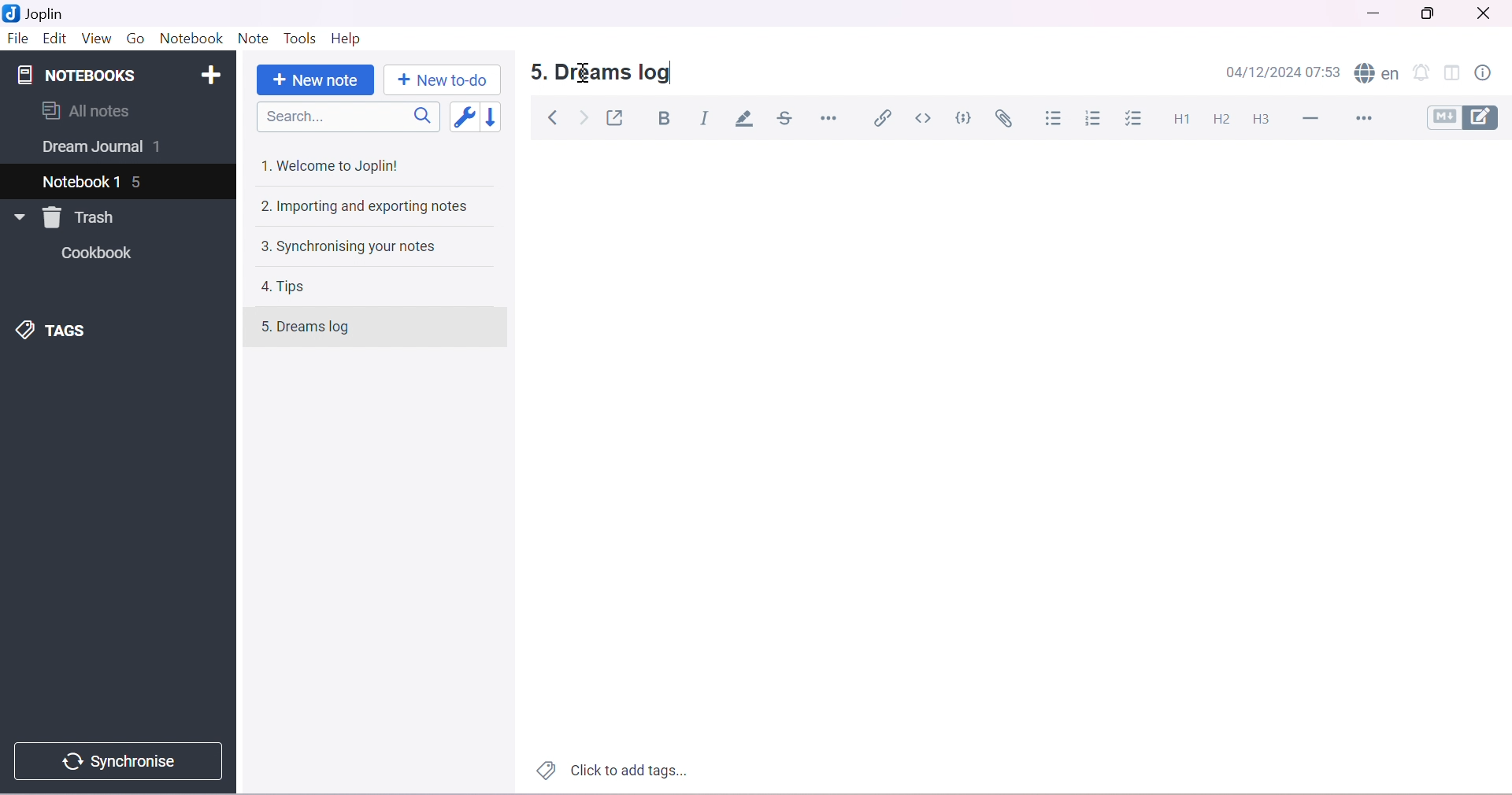 Image resolution: width=1512 pixels, height=795 pixels. What do you see at coordinates (1137, 119) in the screenshot?
I see `Checkbox` at bounding box center [1137, 119].